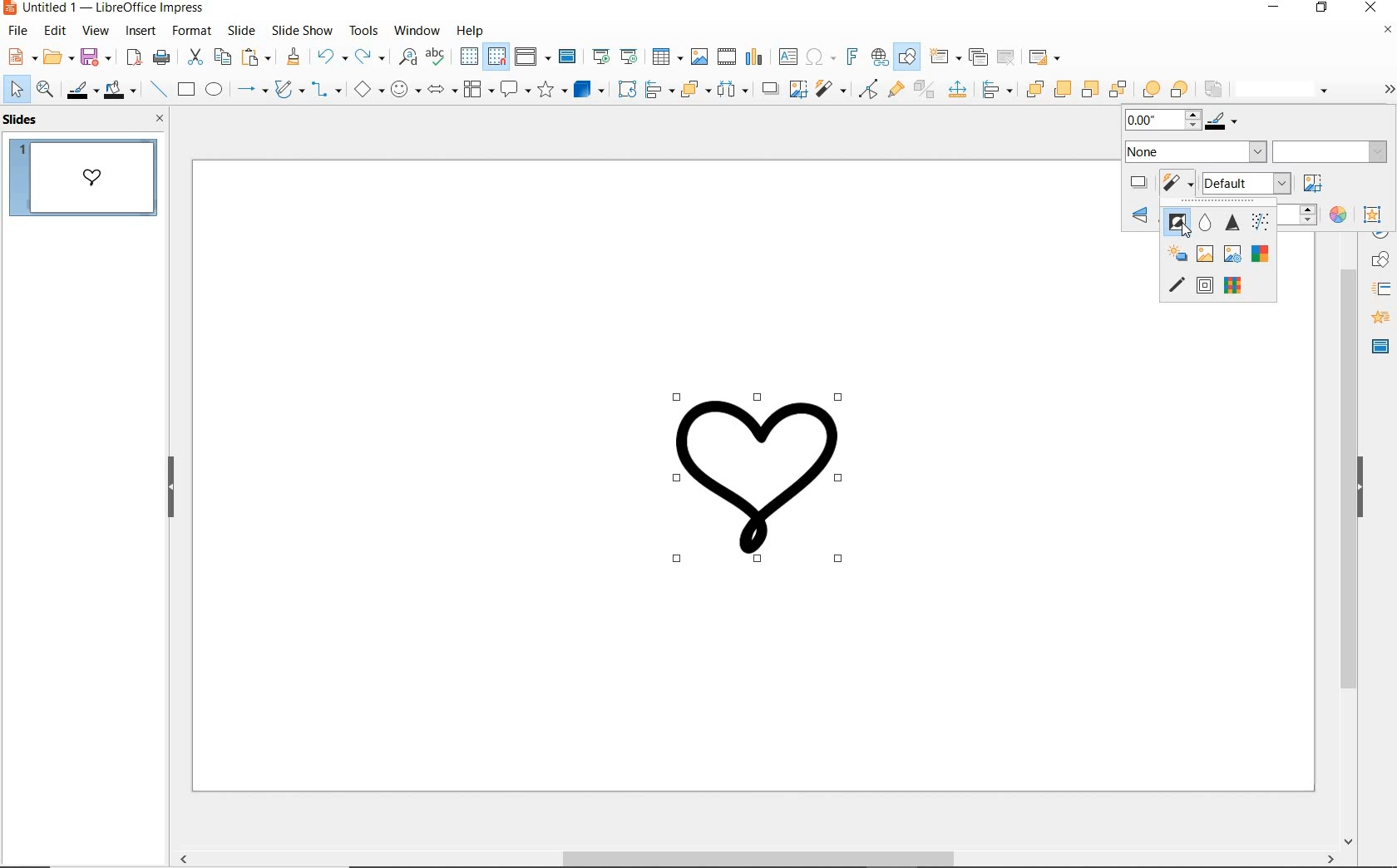 The image size is (1397, 868). I want to click on fill color, so click(120, 89).